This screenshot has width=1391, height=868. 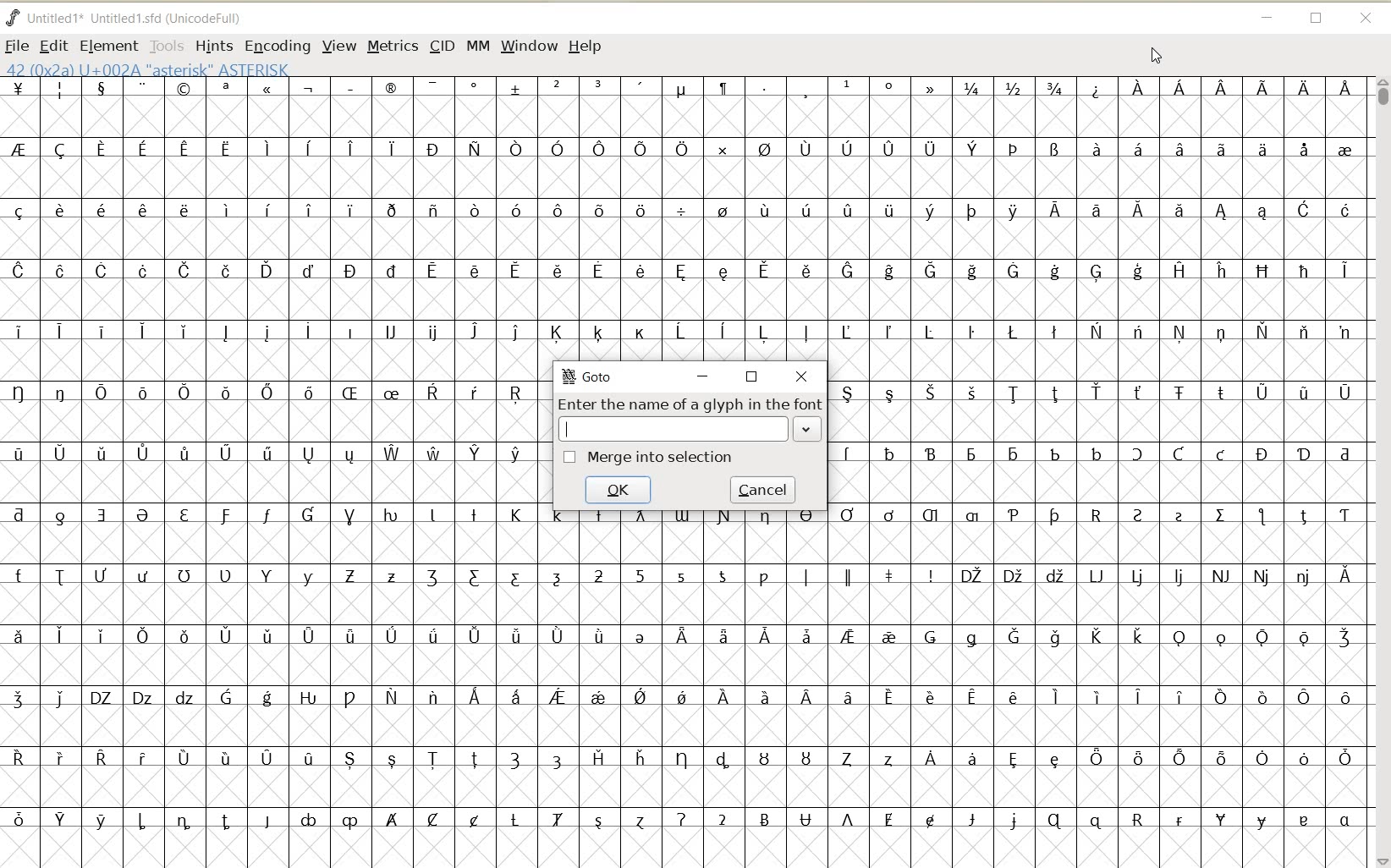 I want to click on GoTo, so click(x=589, y=379).